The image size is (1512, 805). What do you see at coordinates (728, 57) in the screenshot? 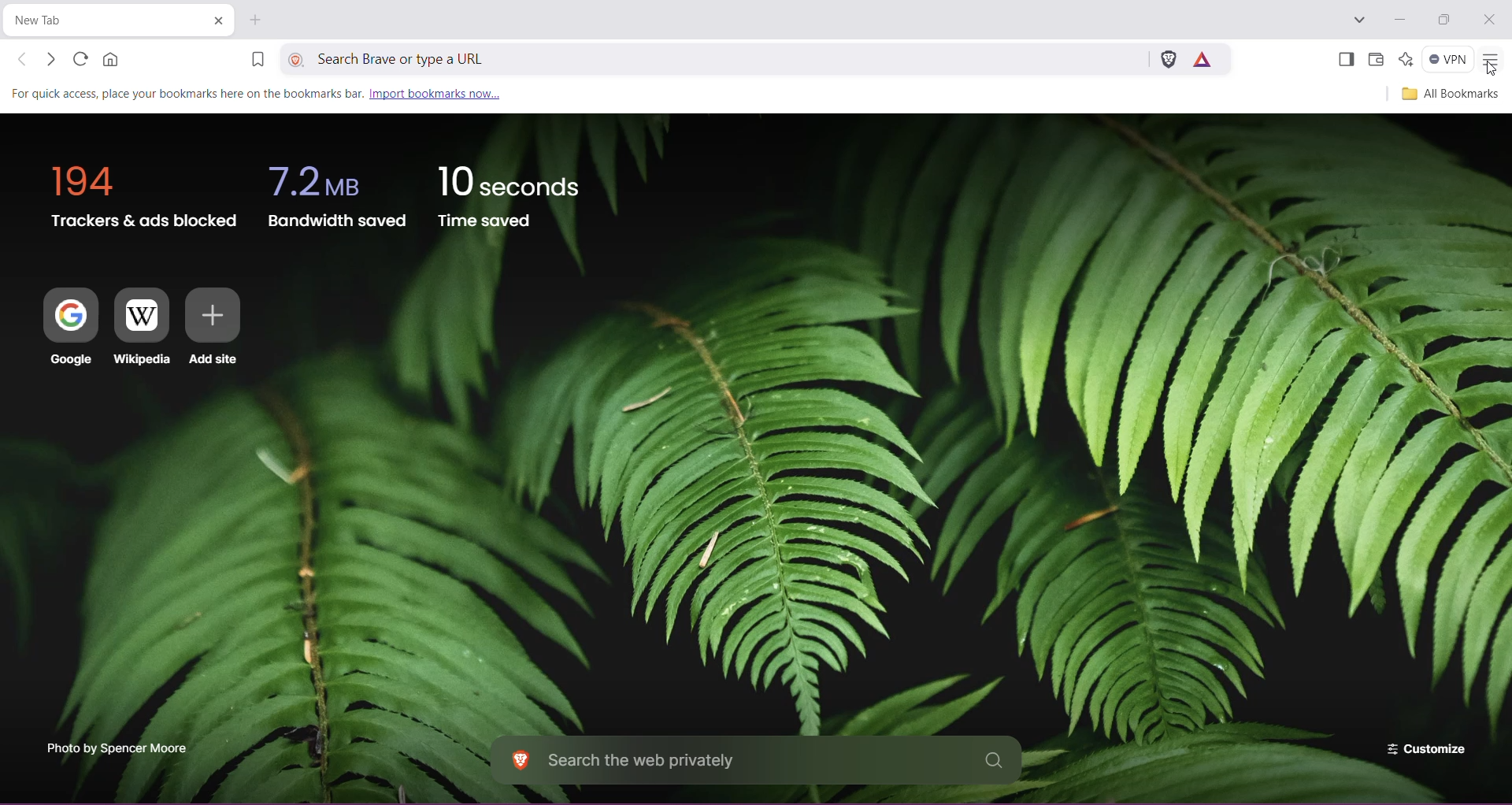
I see `Search Brave or type a URL` at bounding box center [728, 57].